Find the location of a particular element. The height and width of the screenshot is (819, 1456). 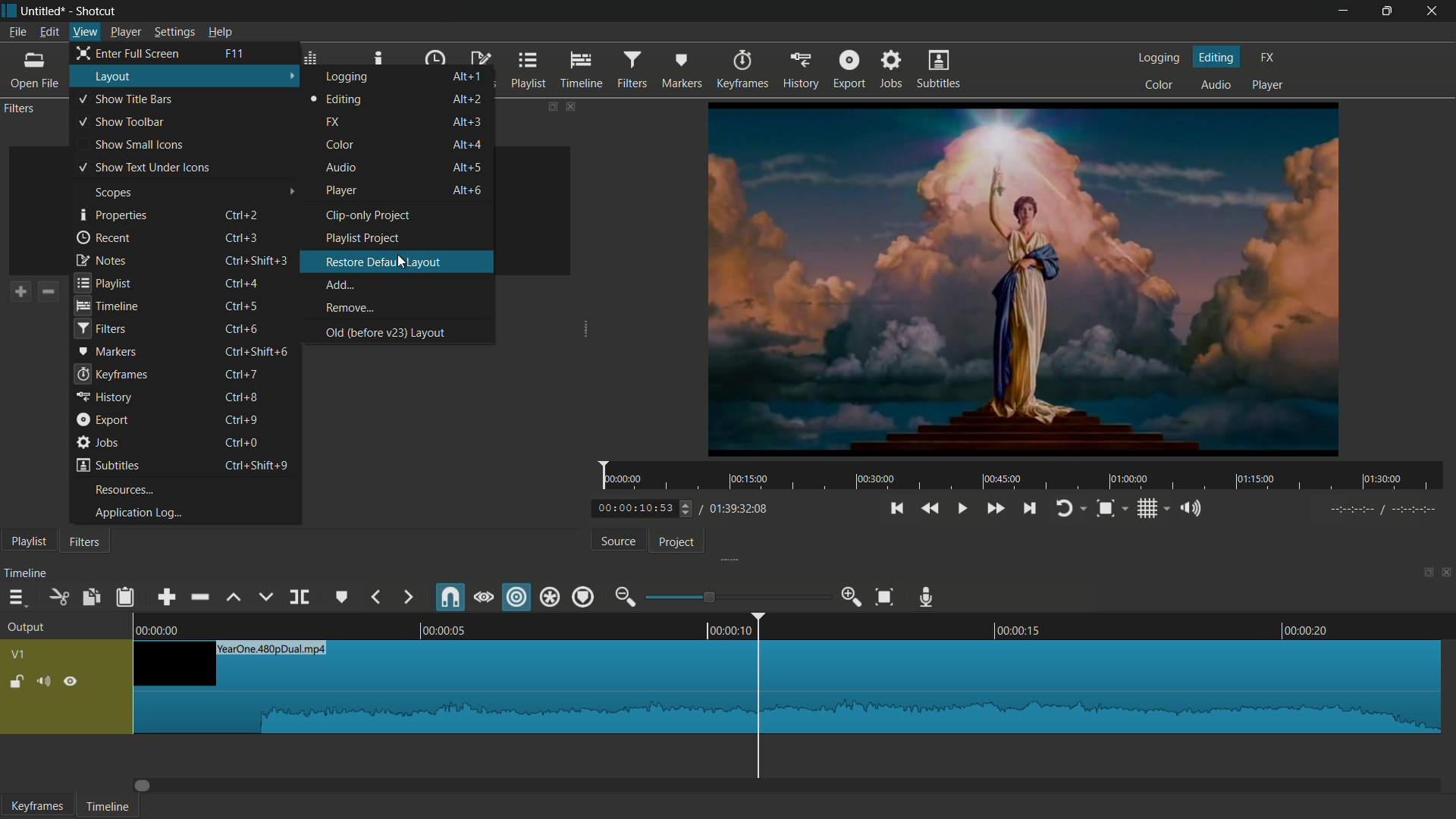

append is located at coordinates (165, 598).